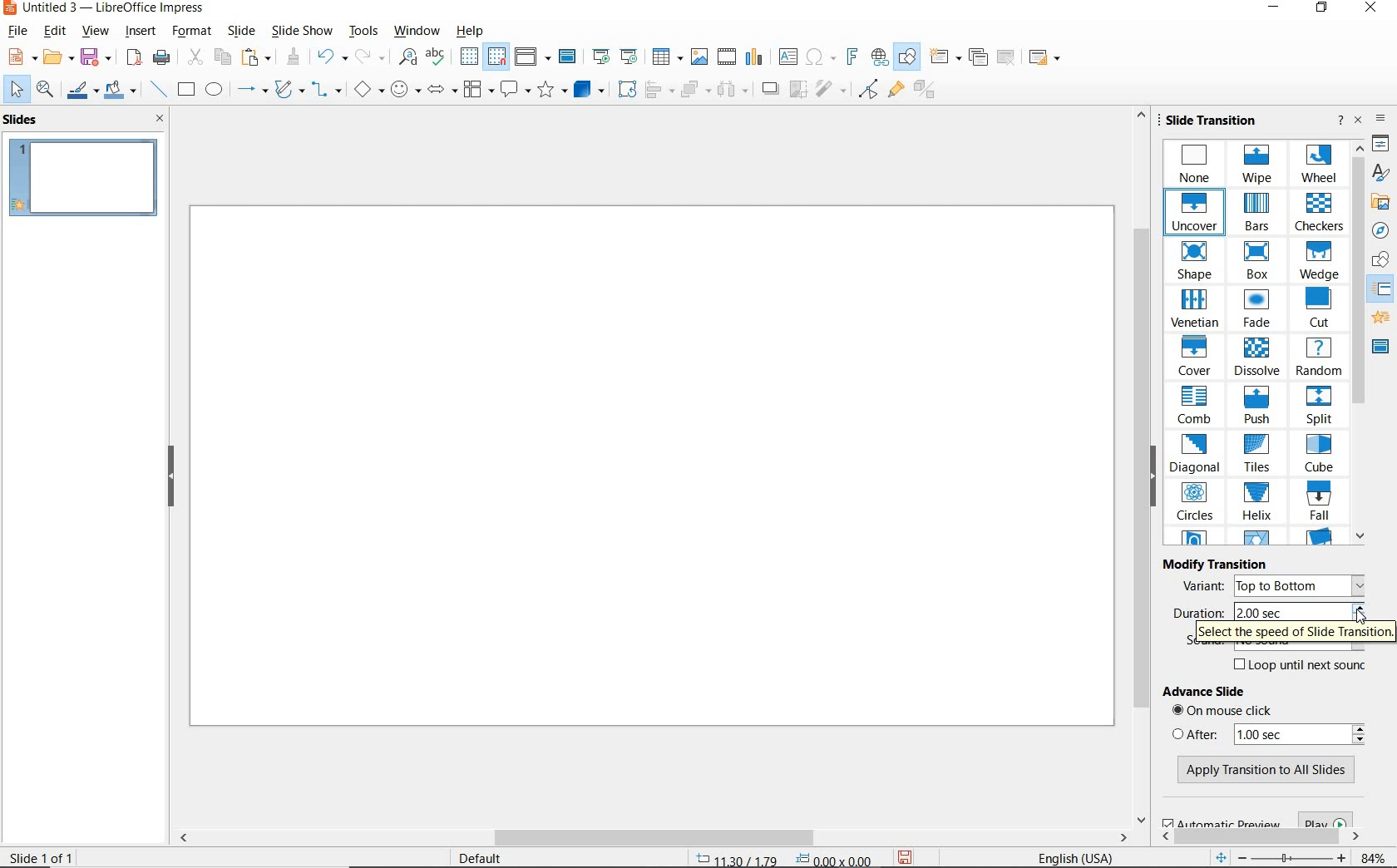 The height and width of the screenshot is (868, 1397). I want to click on WIPE, so click(1261, 165).